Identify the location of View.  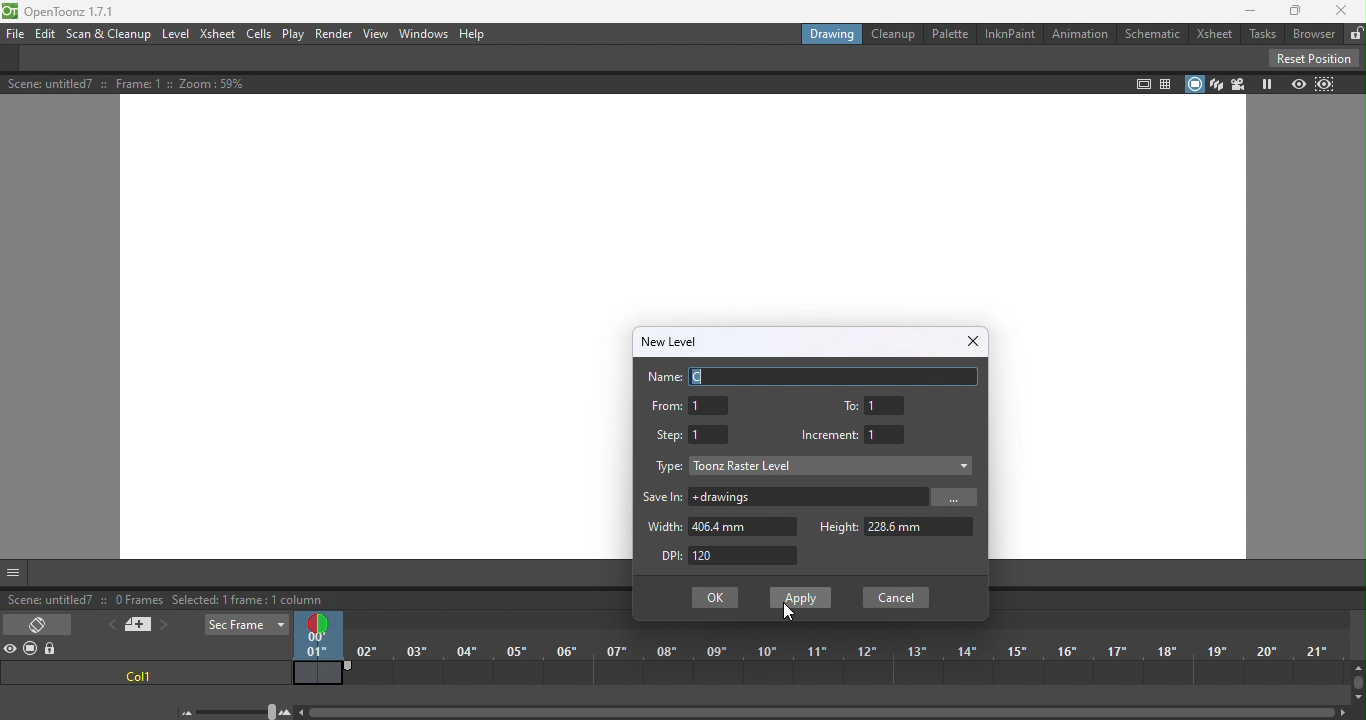
(377, 35).